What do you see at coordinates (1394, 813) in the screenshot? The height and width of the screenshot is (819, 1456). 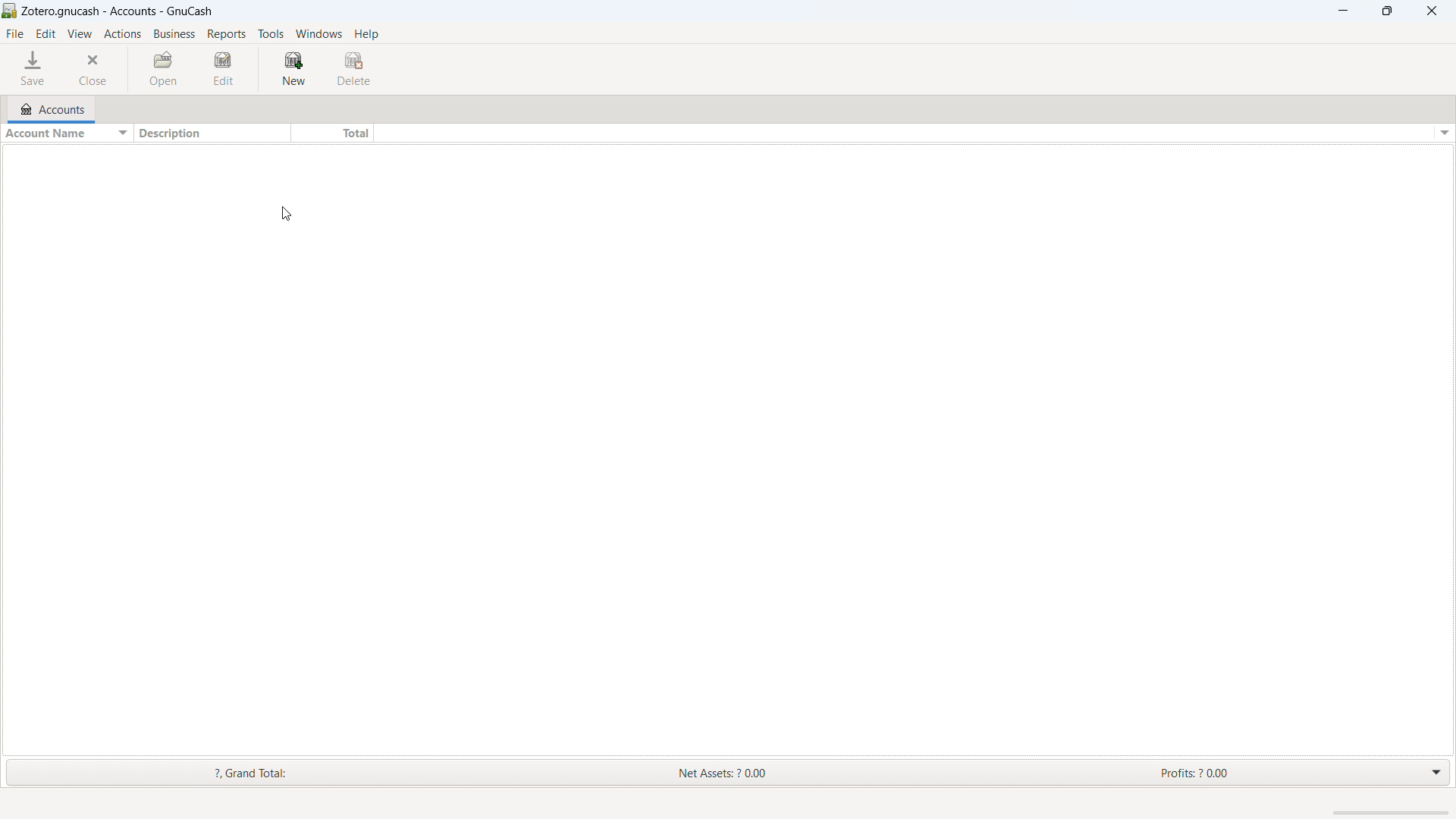 I see `scrollbar` at bounding box center [1394, 813].